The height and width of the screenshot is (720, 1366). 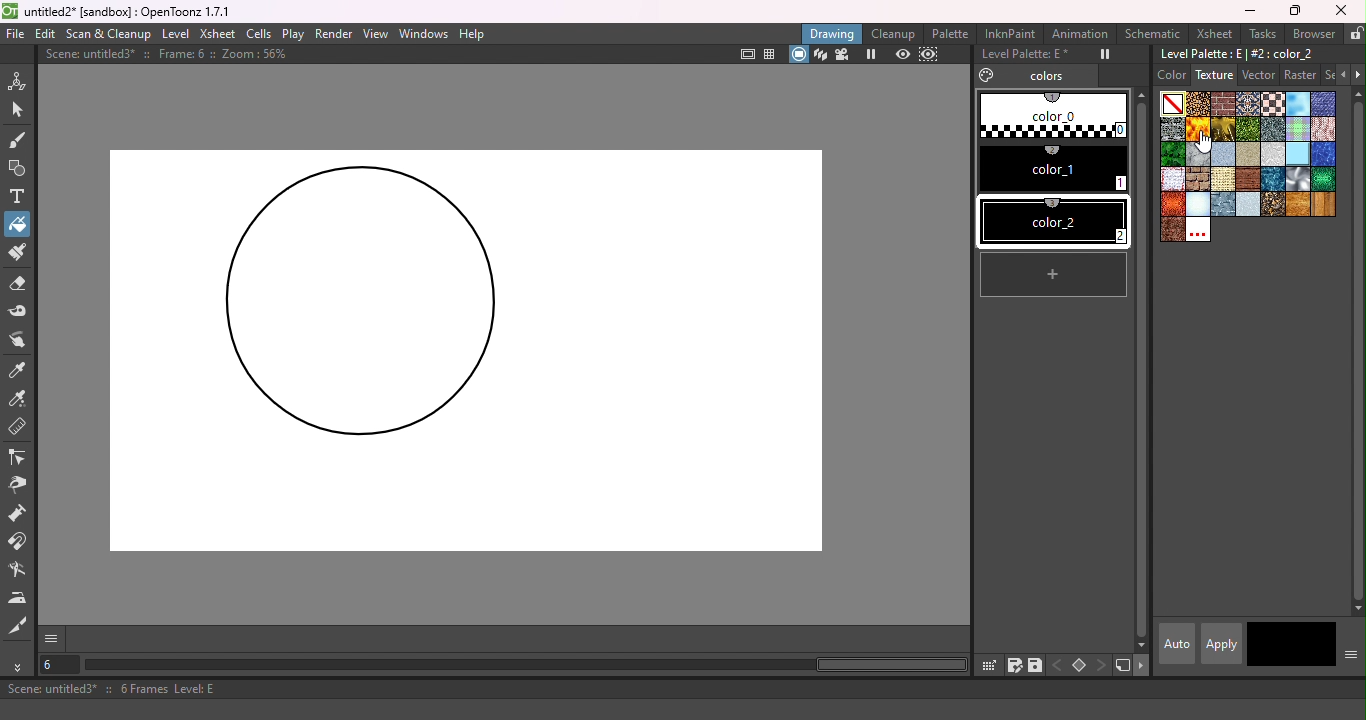 I want to click on Pinch, so click(x=19, y=487).